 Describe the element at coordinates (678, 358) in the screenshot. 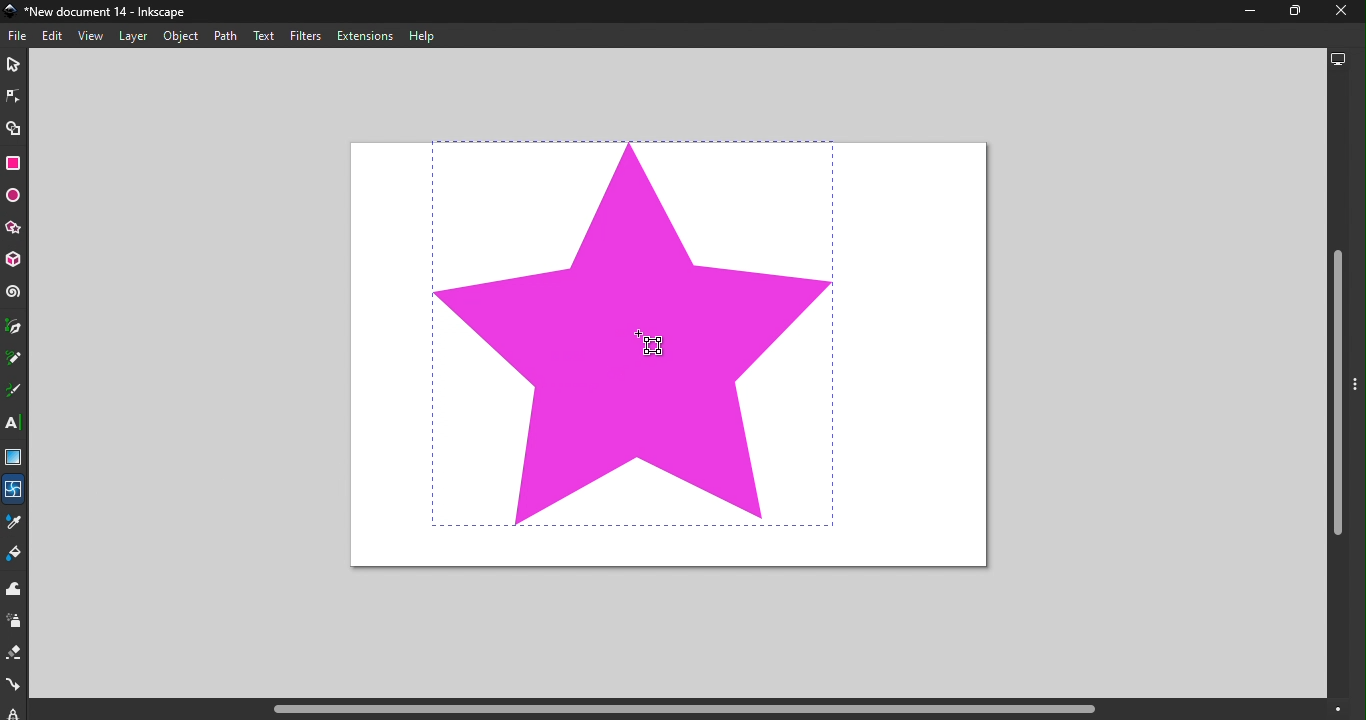

I see `Canvas` at that location.